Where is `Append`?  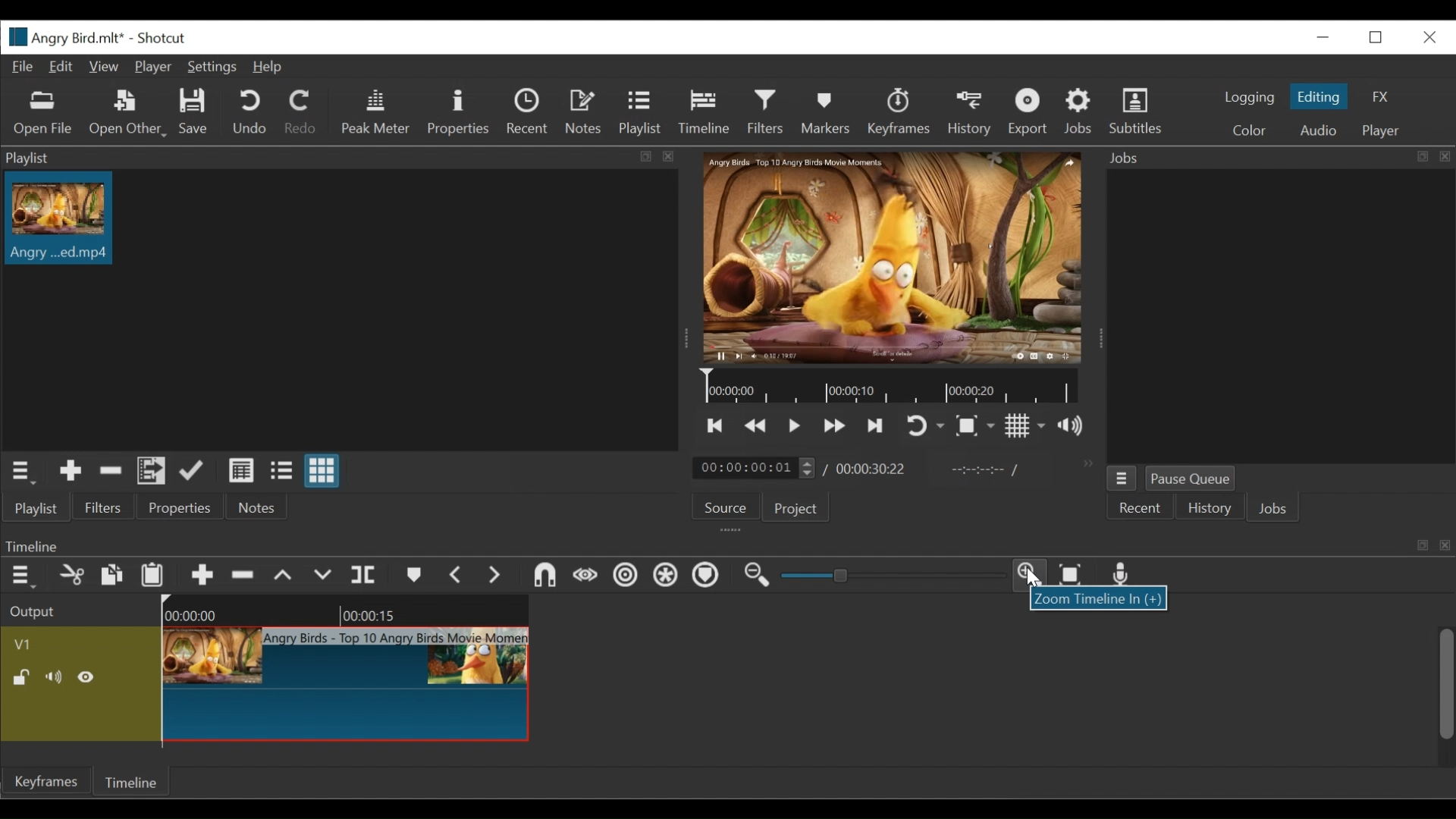 Append is located at coordinates (201, 574).